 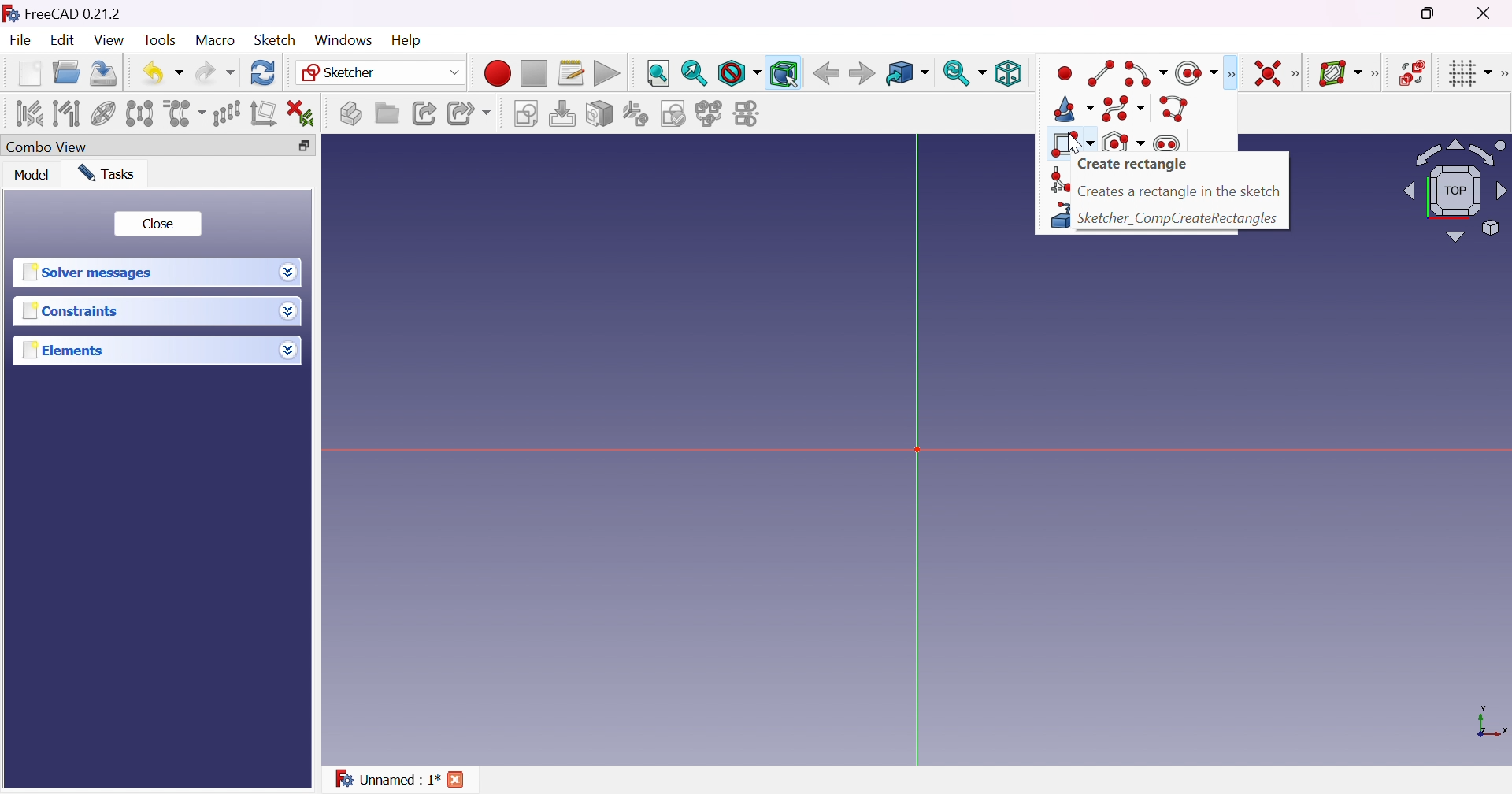 I want to click on Bounding box, so click(x=784, y=74).